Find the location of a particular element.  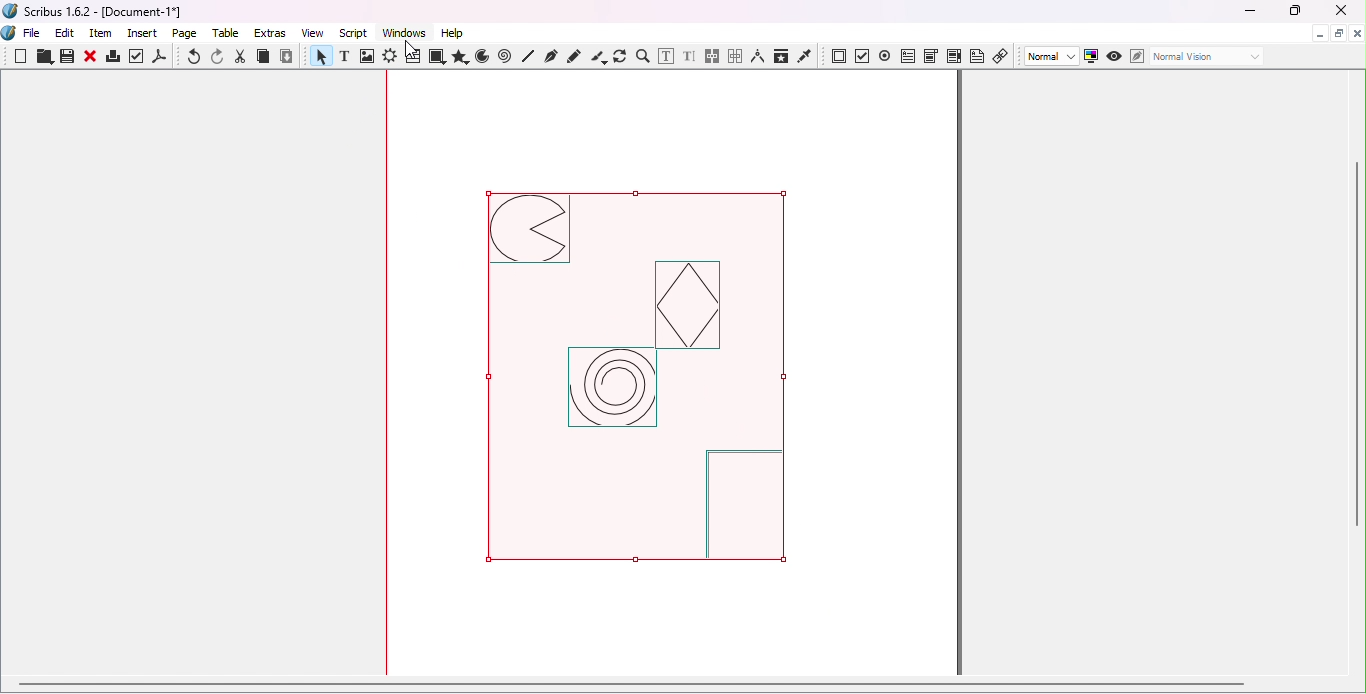

Vertical scroll bar is located at coordinates (1358, 375).